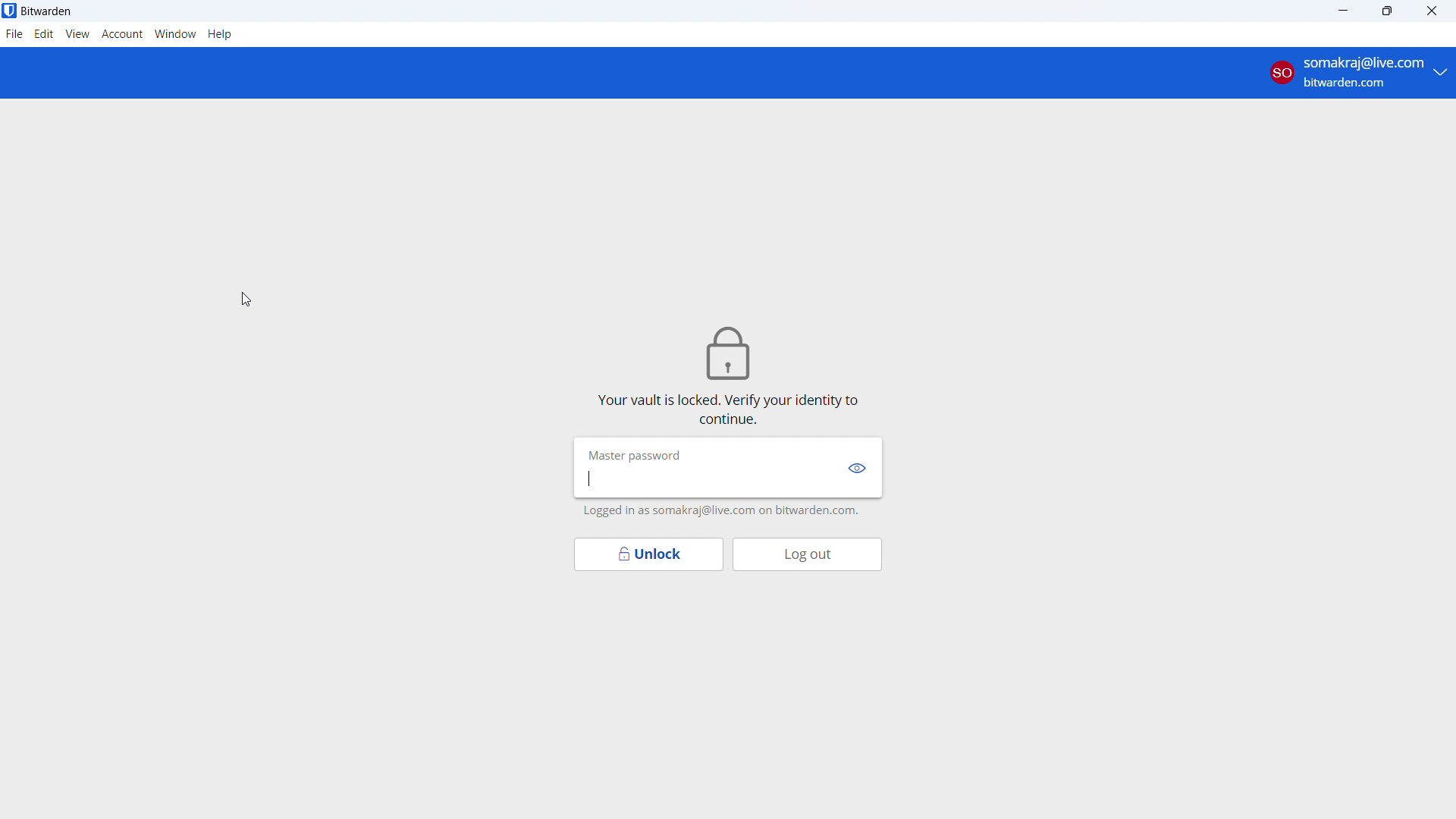 Image resolution: width=1456 pixels, height=819 pixels. What do you see at coordinates (807, 554) in the screenshot?
I see `log out` at bounding box center [807, 554].